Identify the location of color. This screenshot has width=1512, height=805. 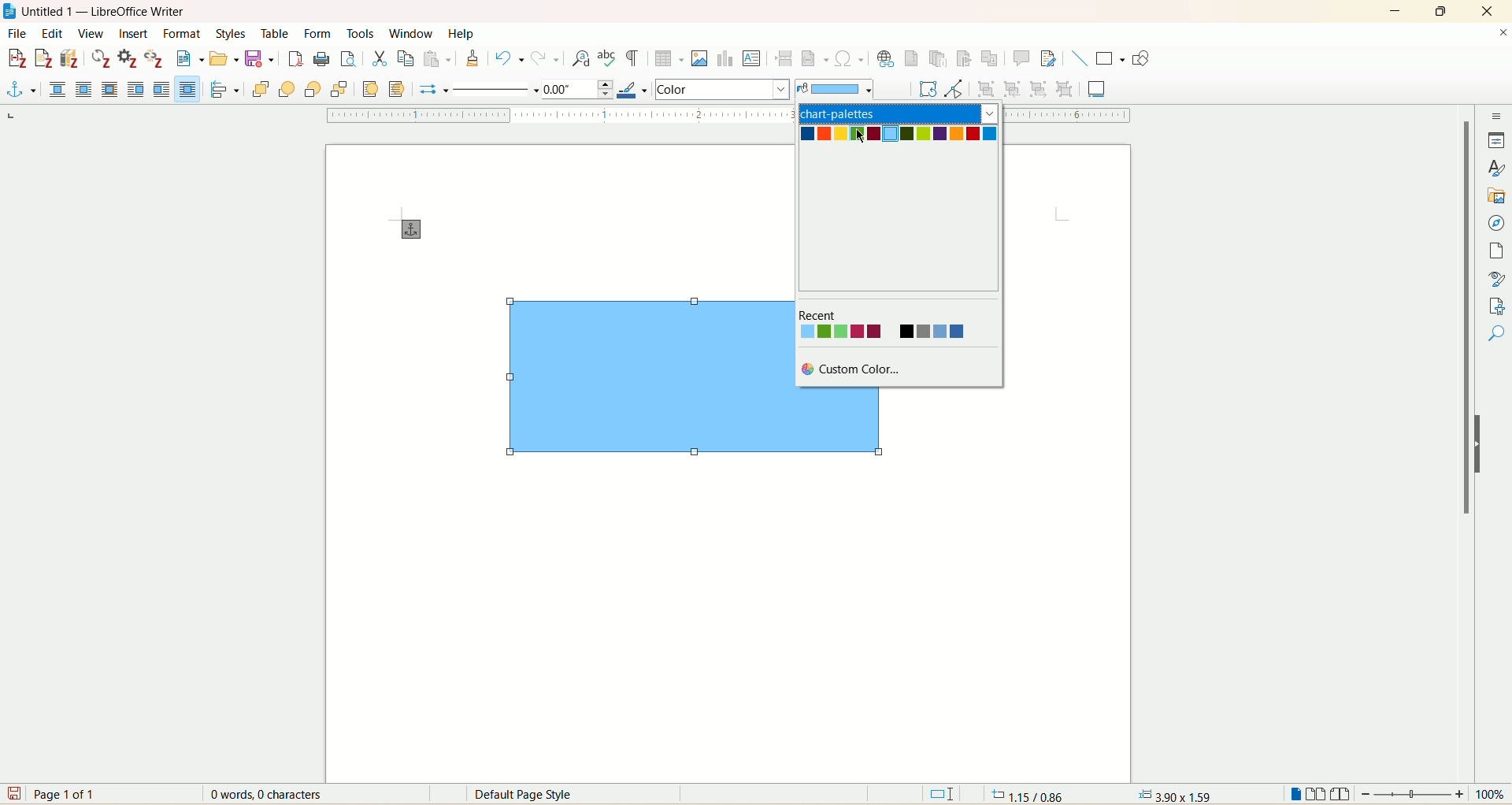
(833, 90).